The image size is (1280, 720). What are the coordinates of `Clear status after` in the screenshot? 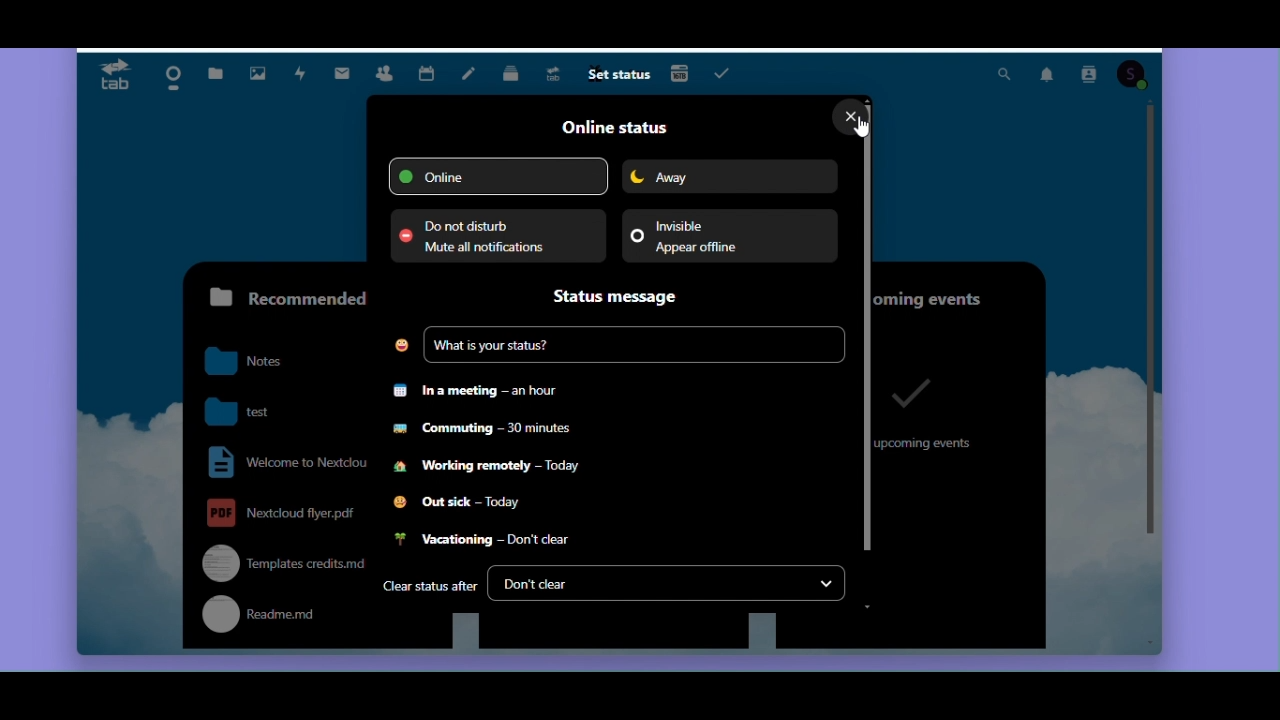 It's located at (429, 588).